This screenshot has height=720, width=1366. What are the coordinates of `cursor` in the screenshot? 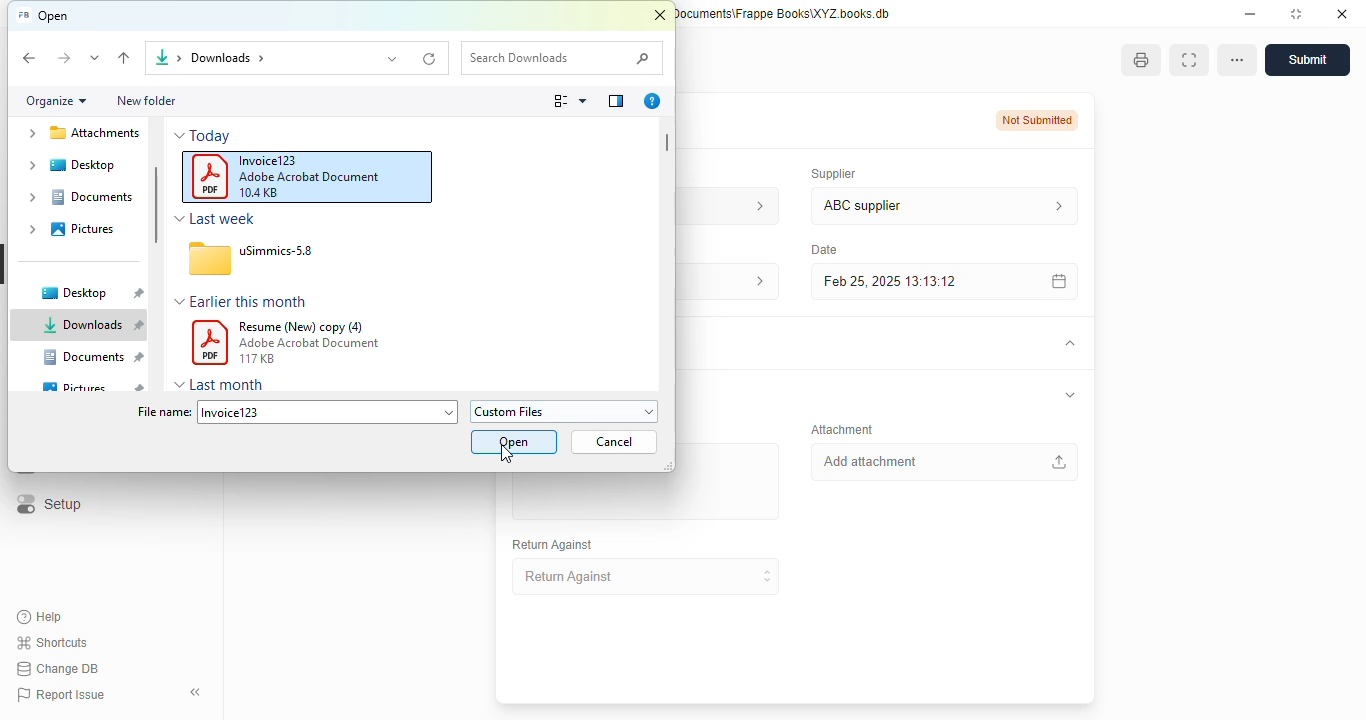 It's located at (507, 454).